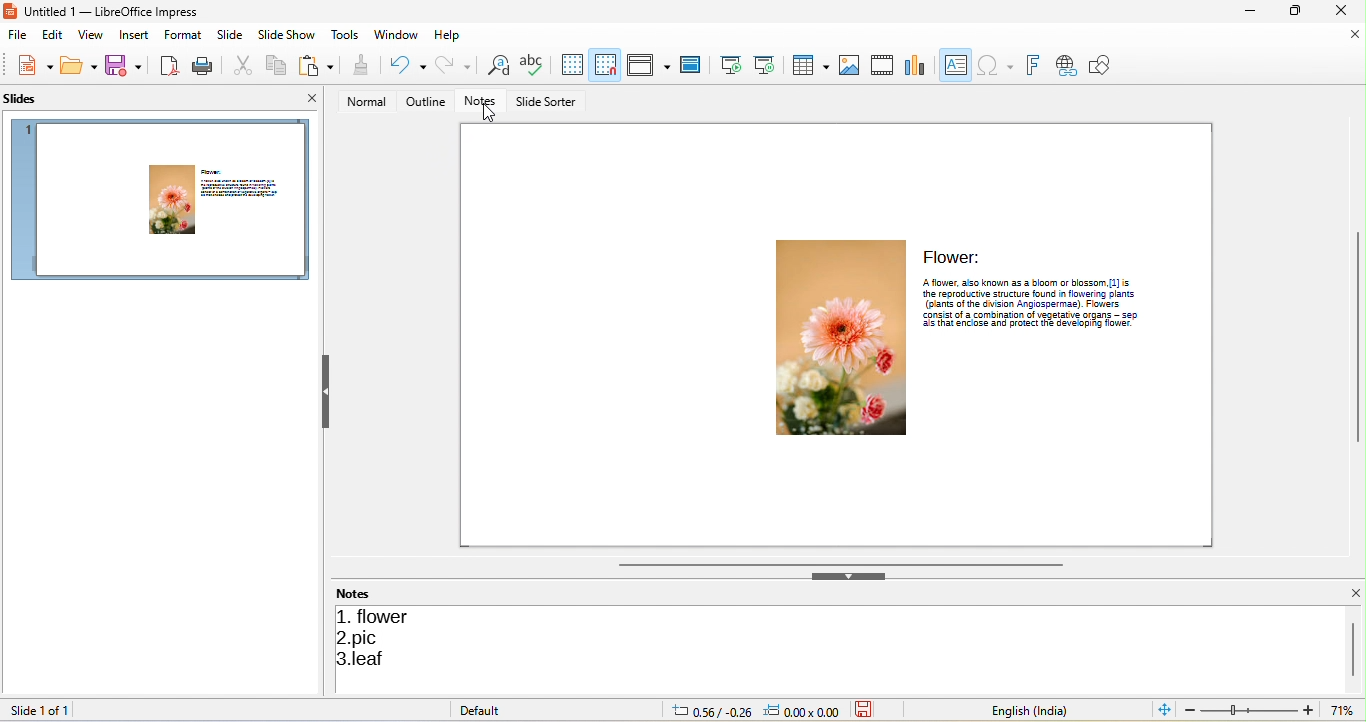 The width and height of the screenshot is (1366, 722). Describe the element at coordinates (15, 36) in the screenshot. I see `file` at that location.